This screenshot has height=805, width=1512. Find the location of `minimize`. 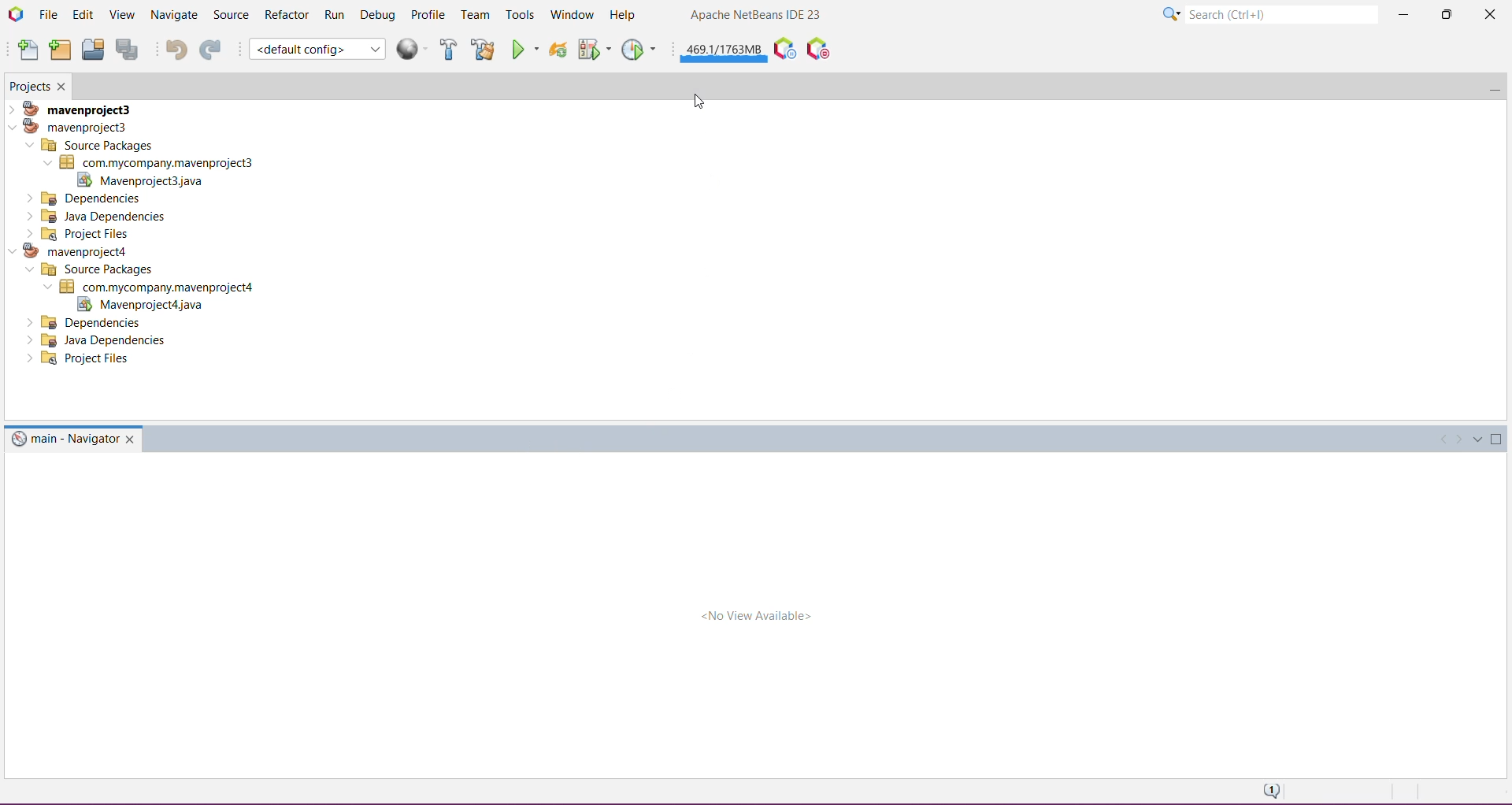

minimize is located at coordinates (1489, 84).